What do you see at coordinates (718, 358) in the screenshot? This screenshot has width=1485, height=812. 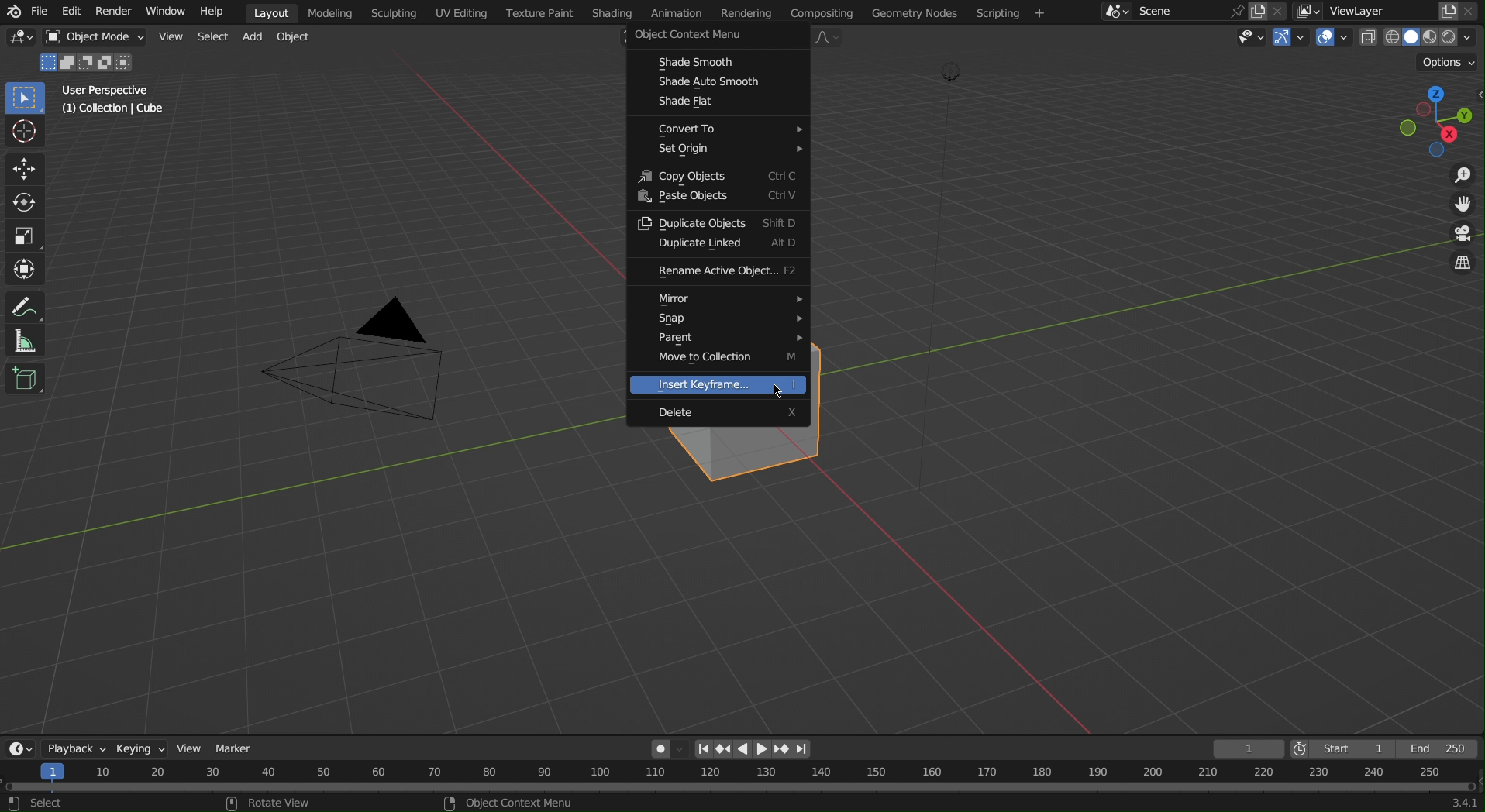 I see `Move to Collection` at bounding box center [718, 358].